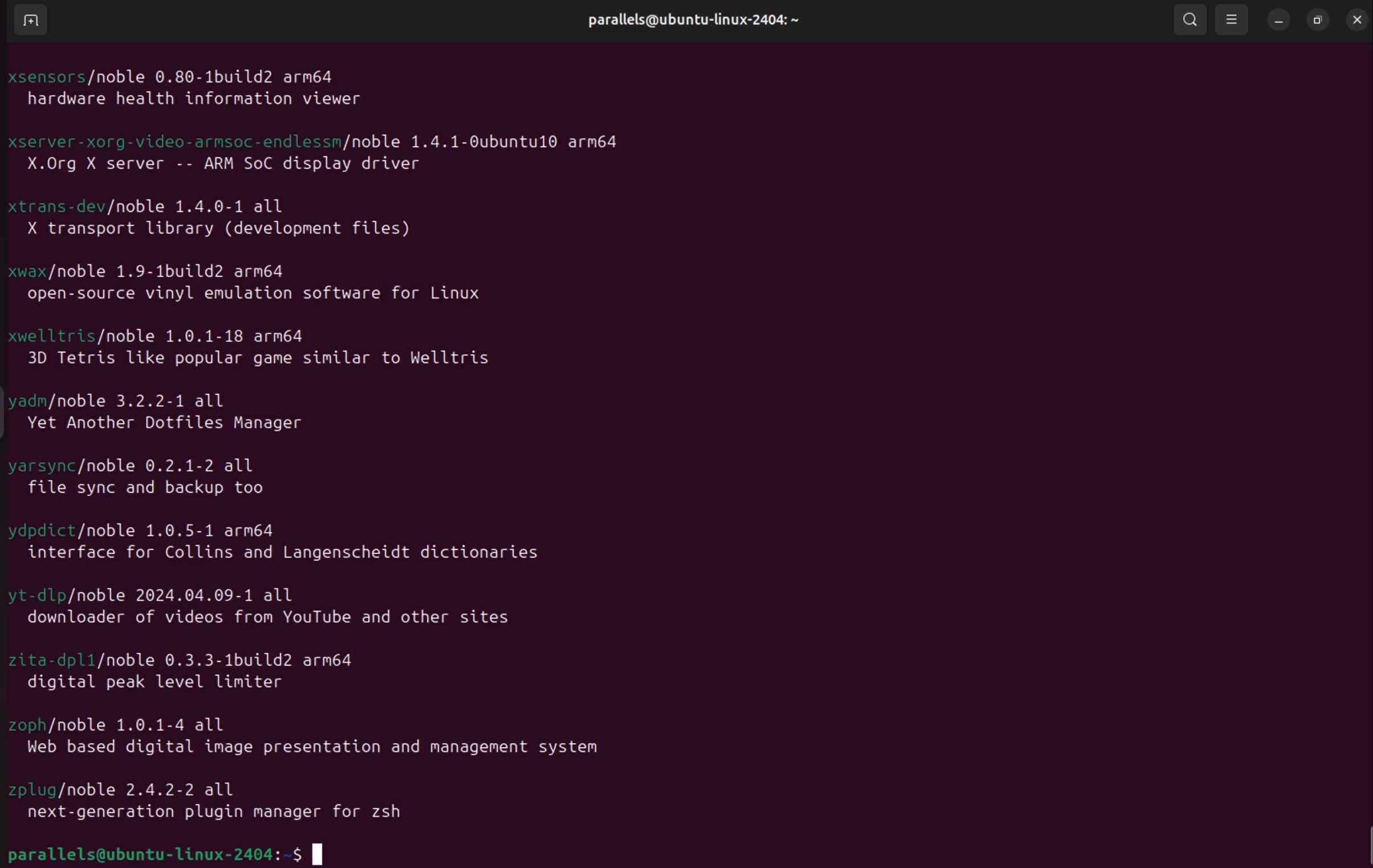 The image size is (1373, 868). Describe the element at coordinates (686, 29) in the screenshot. I see `parallels@ubuntu-linux-2404: ~` at that location.